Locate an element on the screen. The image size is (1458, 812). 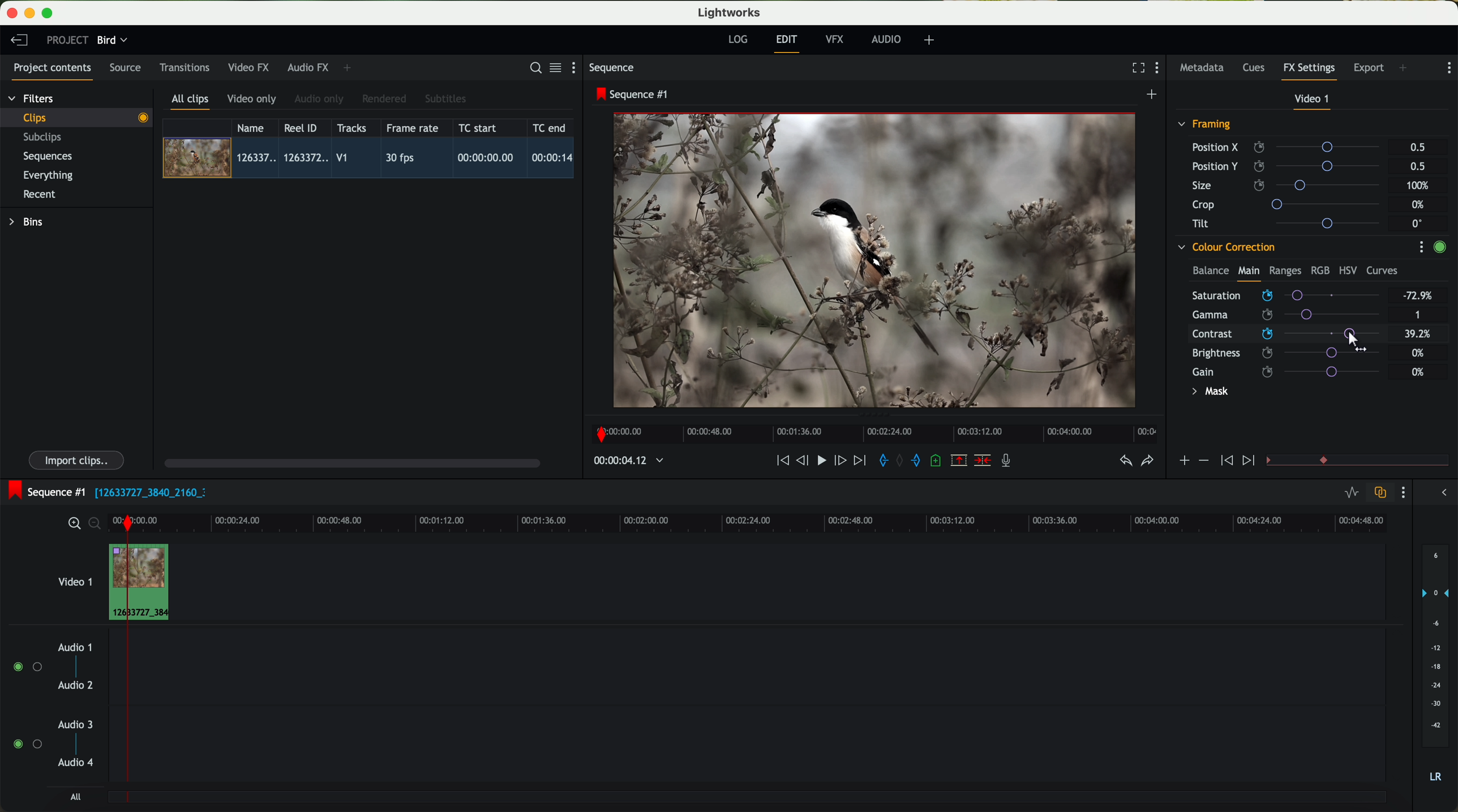
clear marks is located at coordinates (900, 461).